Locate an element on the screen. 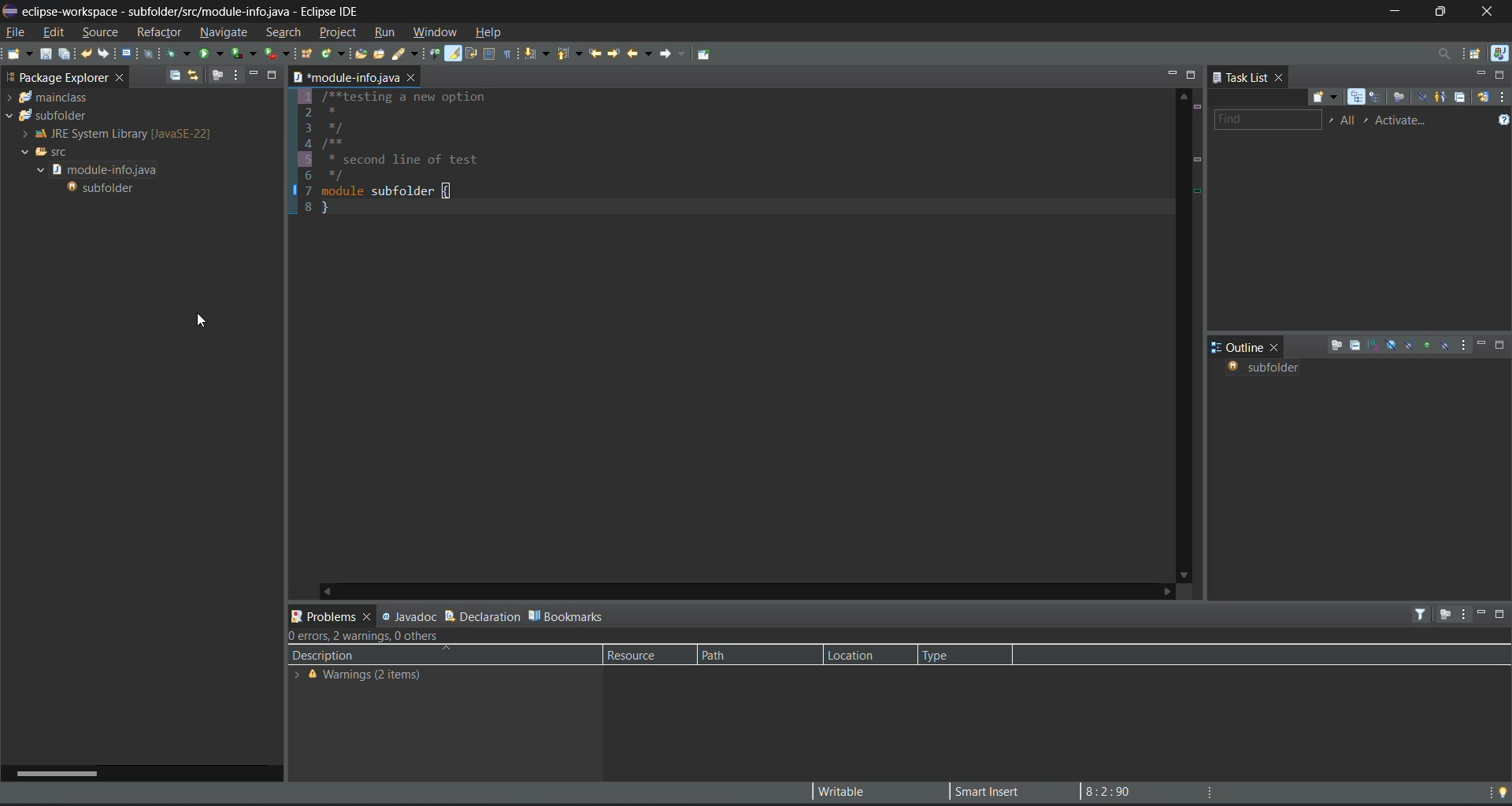 The image size is (1512, 806). 8:2:90 is located at coordinates (1116, 790).